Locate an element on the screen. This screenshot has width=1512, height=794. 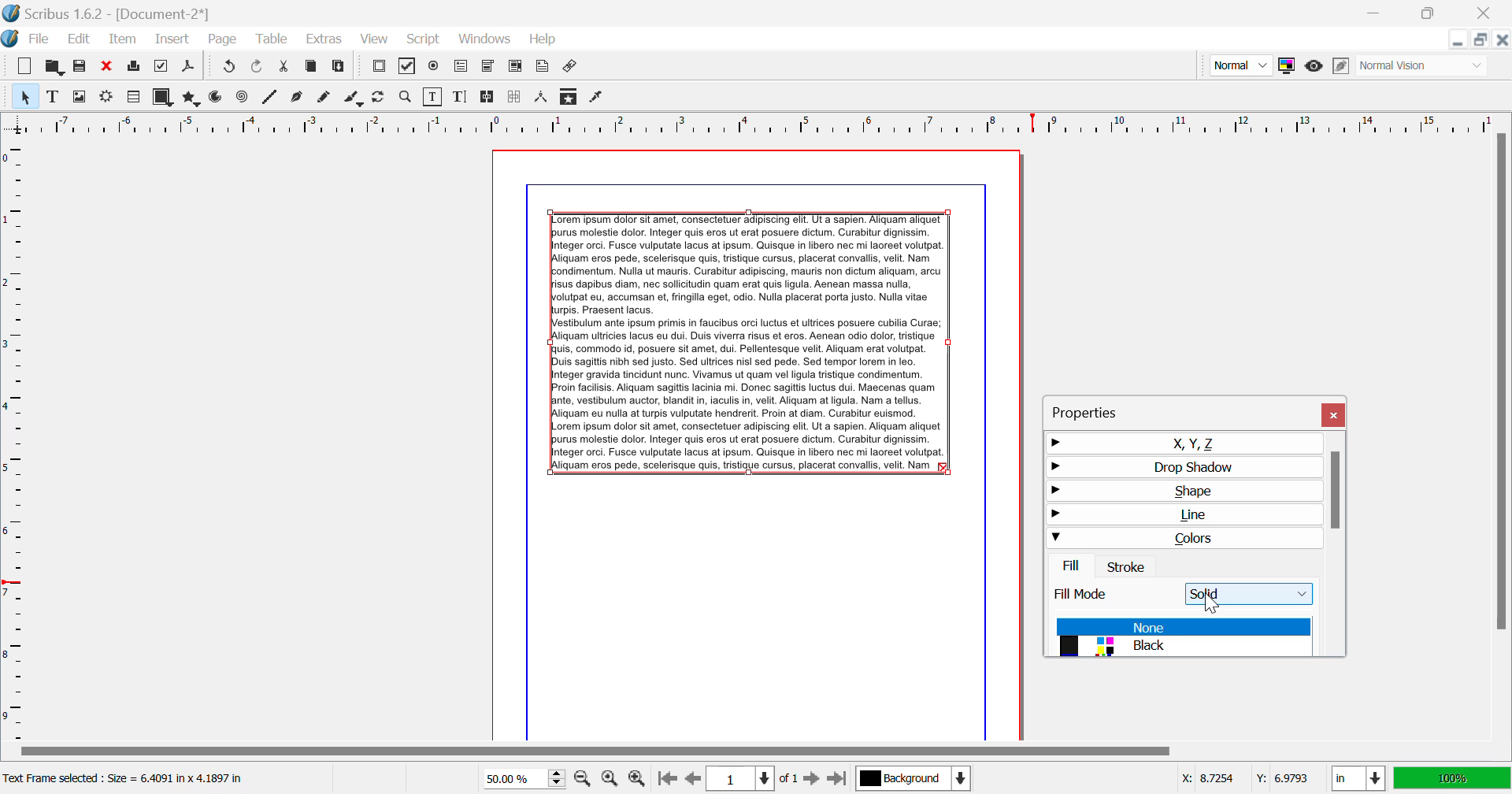
Restore Down is located at coordinates (1459, 39).